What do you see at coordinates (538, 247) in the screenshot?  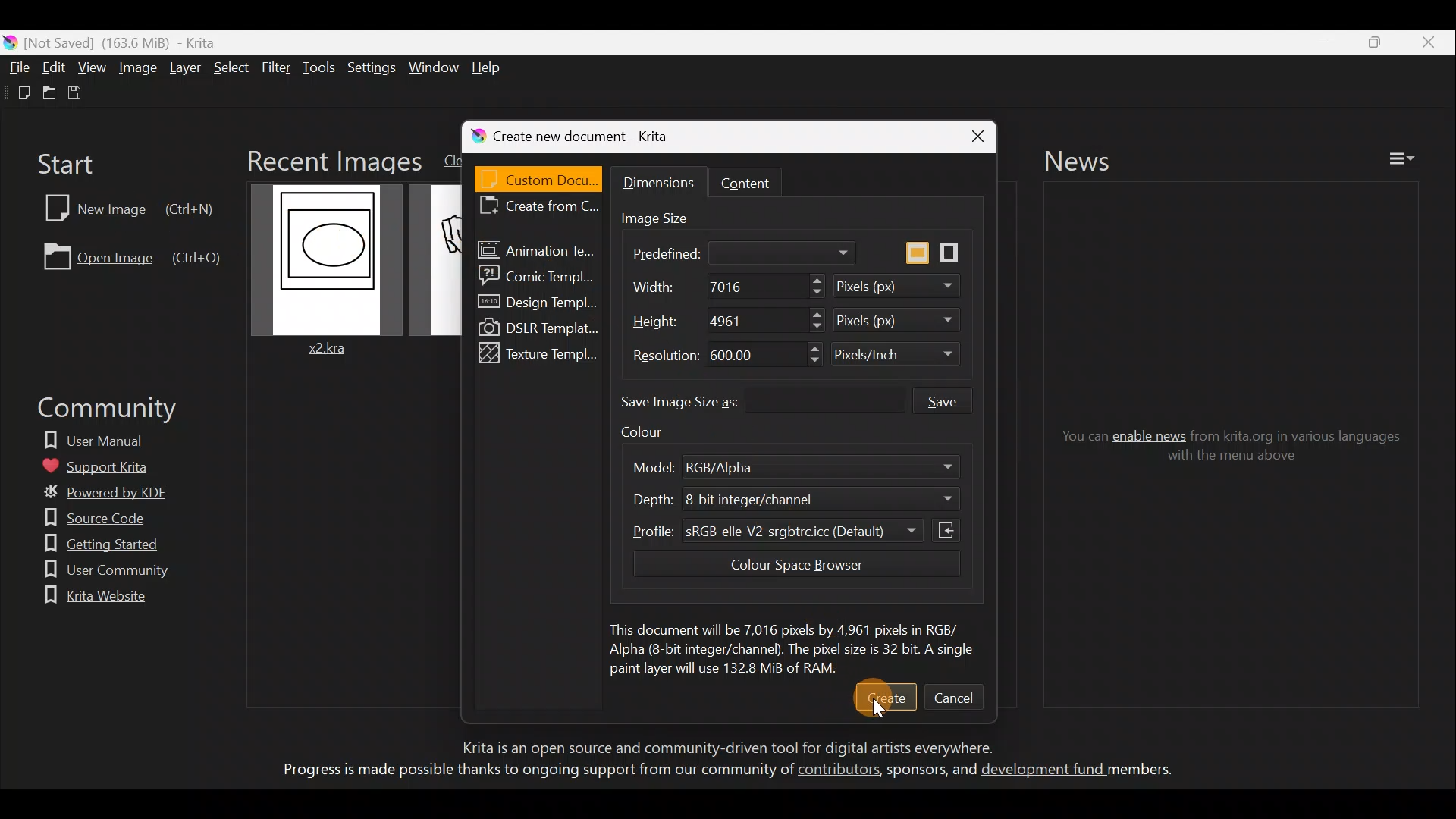 I see `Animation templates` at bounding box center [538, 247].